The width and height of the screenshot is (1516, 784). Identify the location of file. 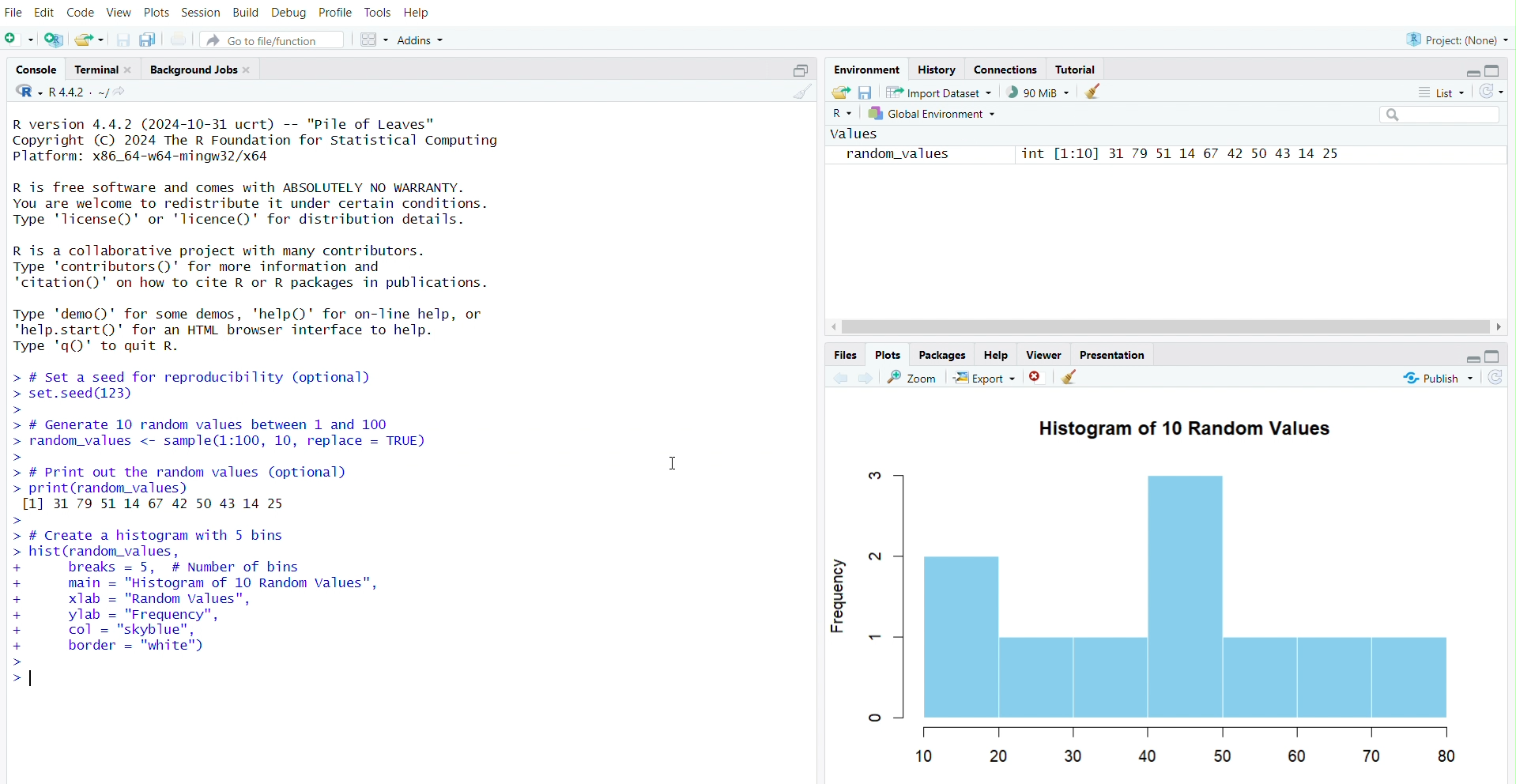
(13, 10).